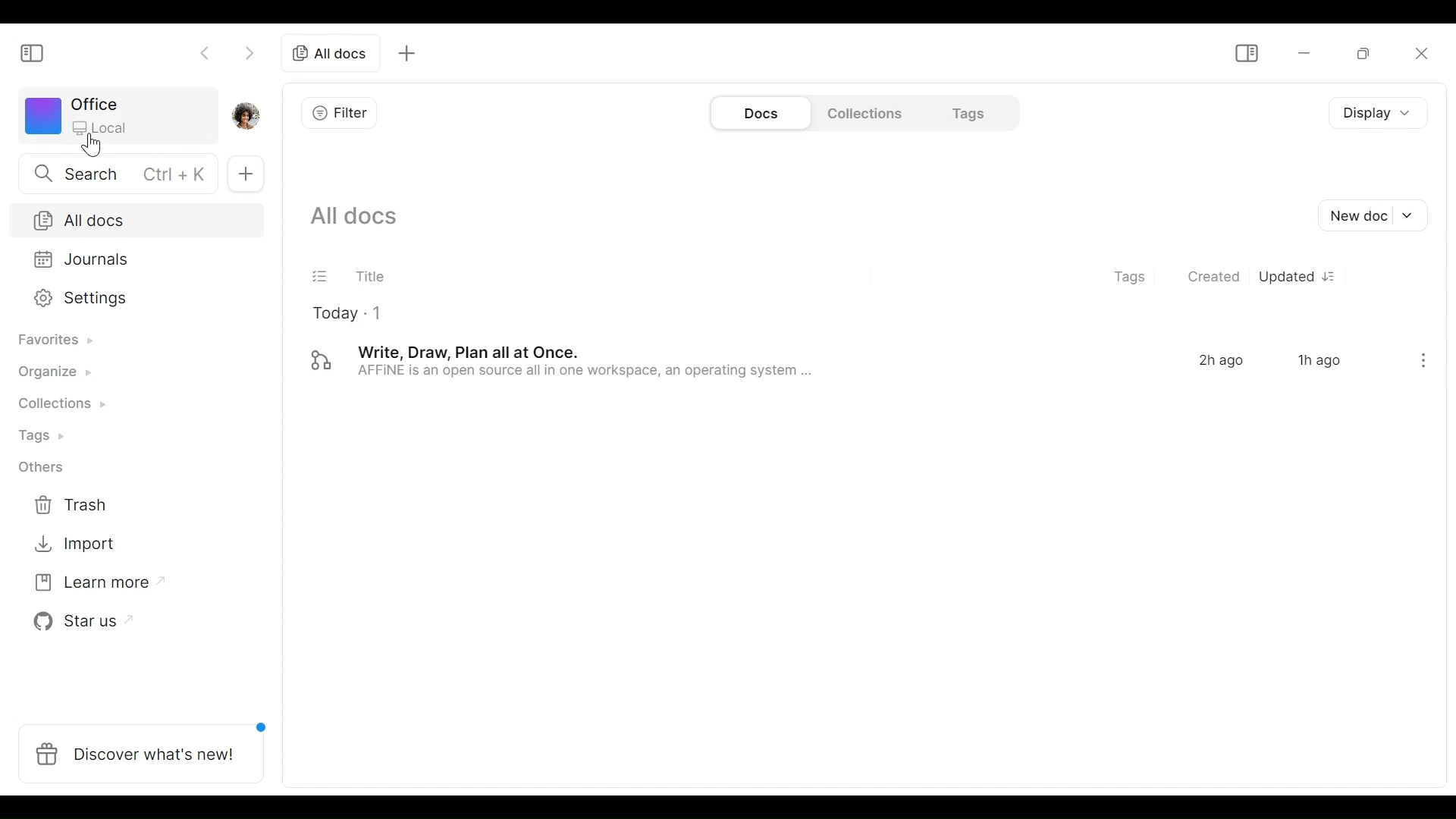 The width and height of the screenshot is (1456, 819). I want to click on Show all documents current in the workspace, so click(353, 217).